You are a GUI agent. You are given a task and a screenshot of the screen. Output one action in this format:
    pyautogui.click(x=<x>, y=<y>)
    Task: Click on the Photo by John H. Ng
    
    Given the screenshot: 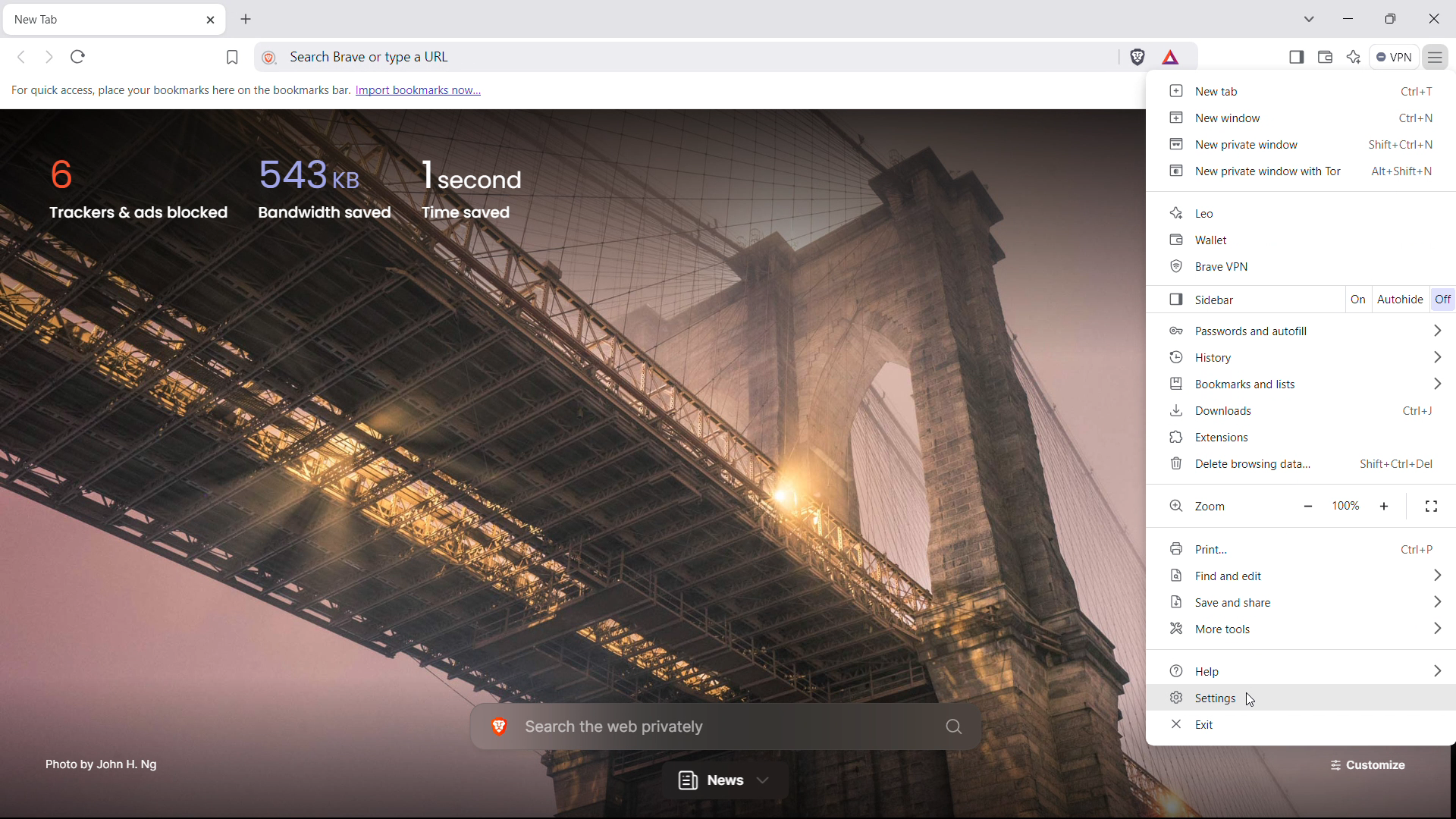 What is the action you would take?
    pyautogui.click(x=106, y=764)
    